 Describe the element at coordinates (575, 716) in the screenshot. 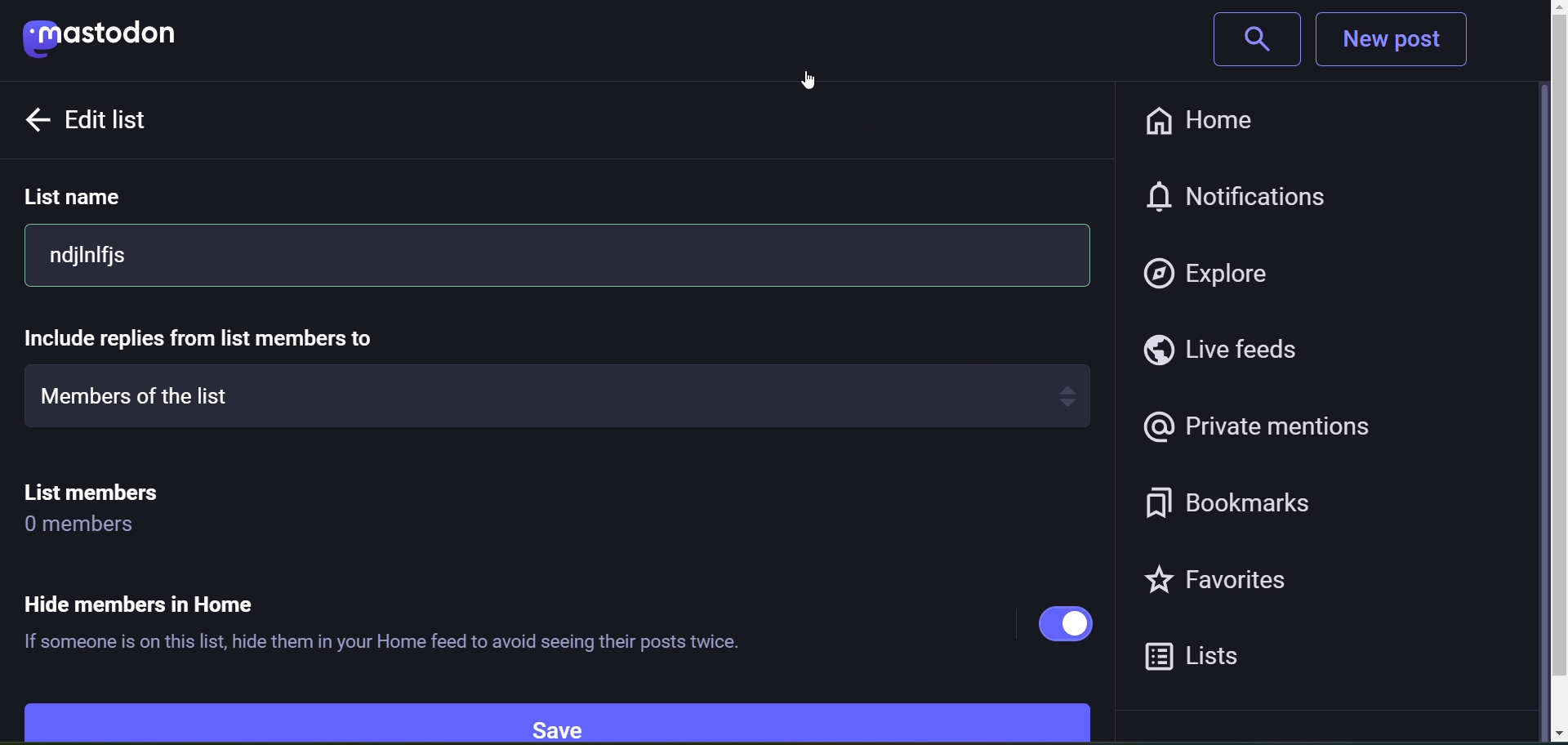

I see `save` at that location.